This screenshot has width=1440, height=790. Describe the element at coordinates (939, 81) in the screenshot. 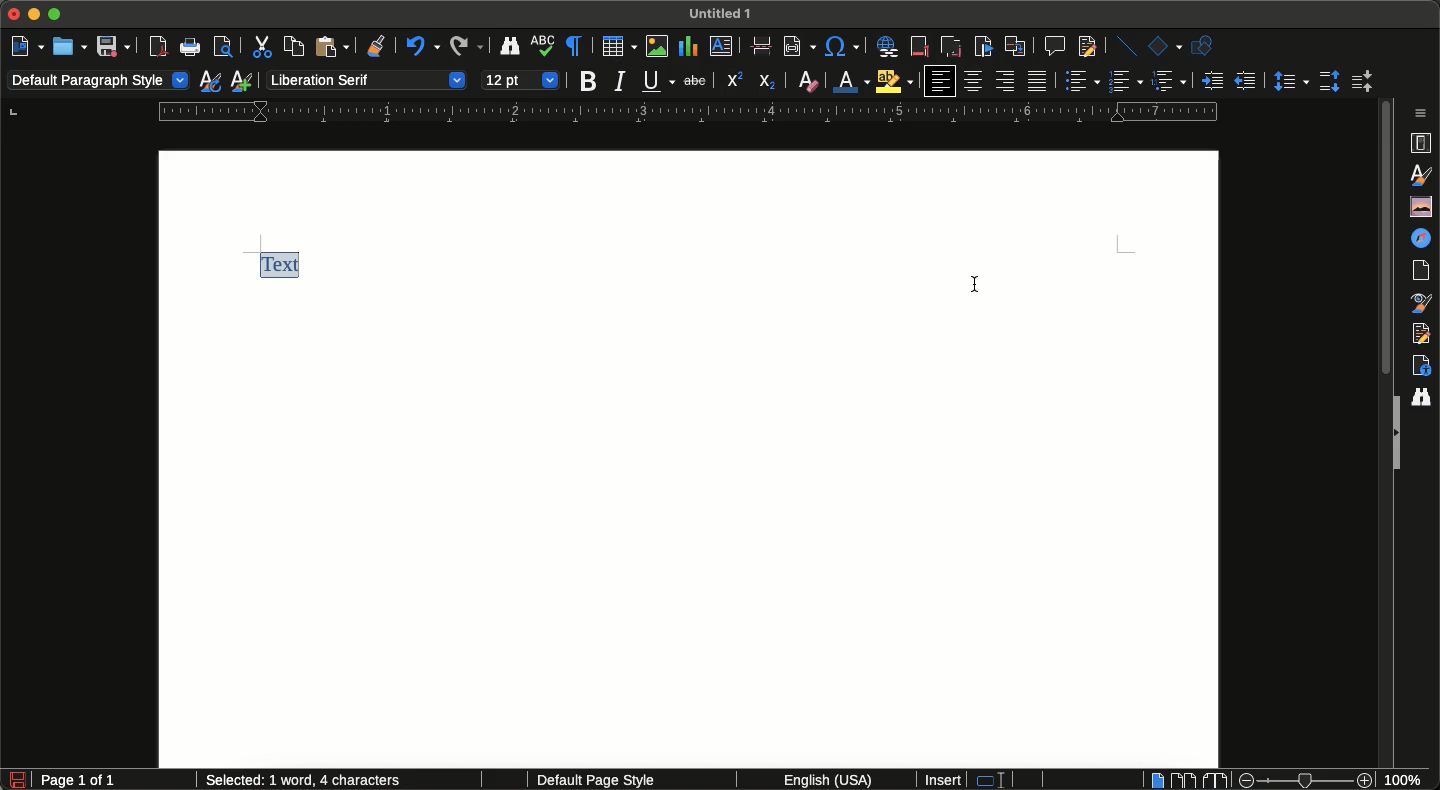

I see `Align left` at that location.